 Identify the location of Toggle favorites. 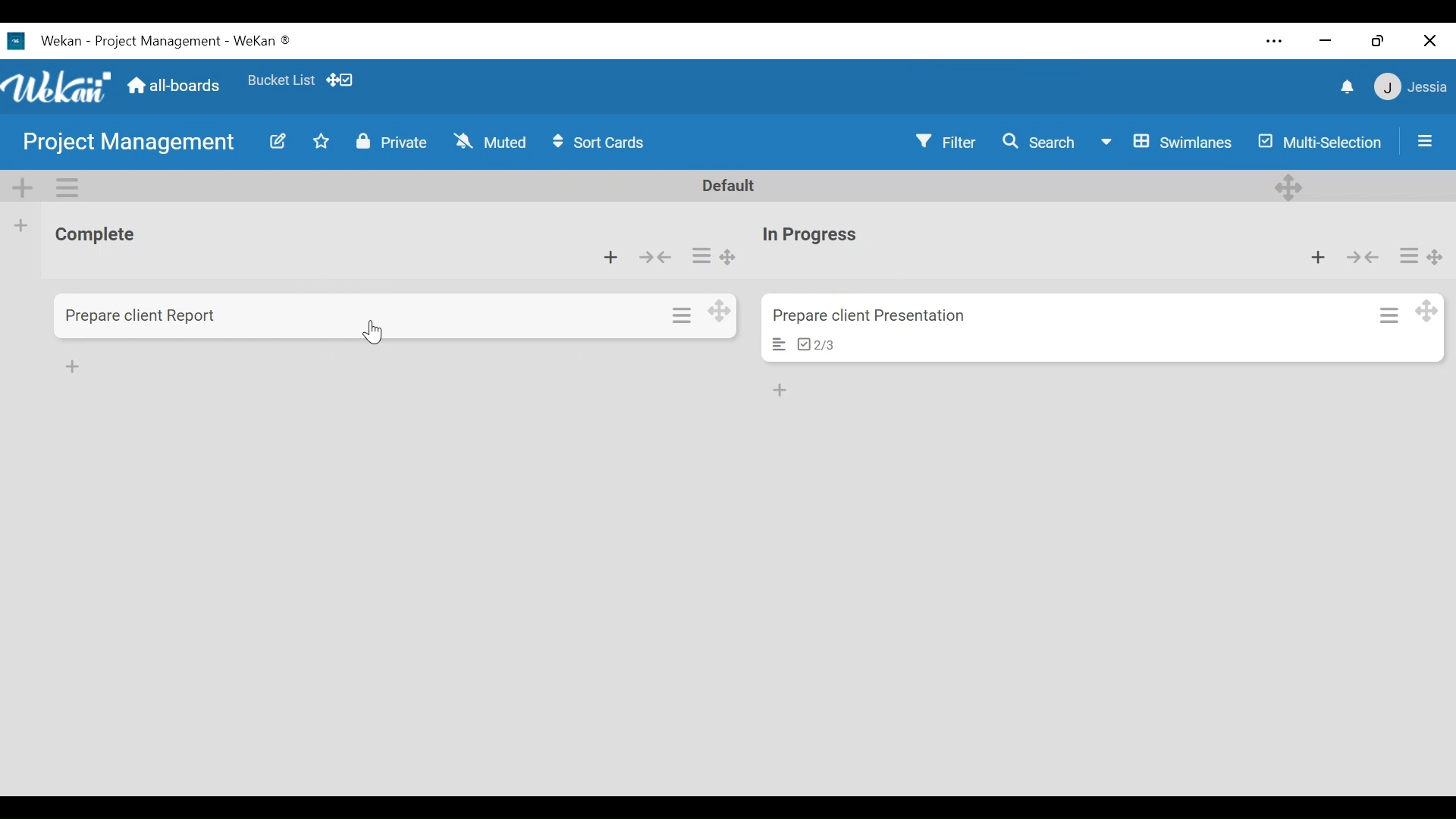
(322, 142).